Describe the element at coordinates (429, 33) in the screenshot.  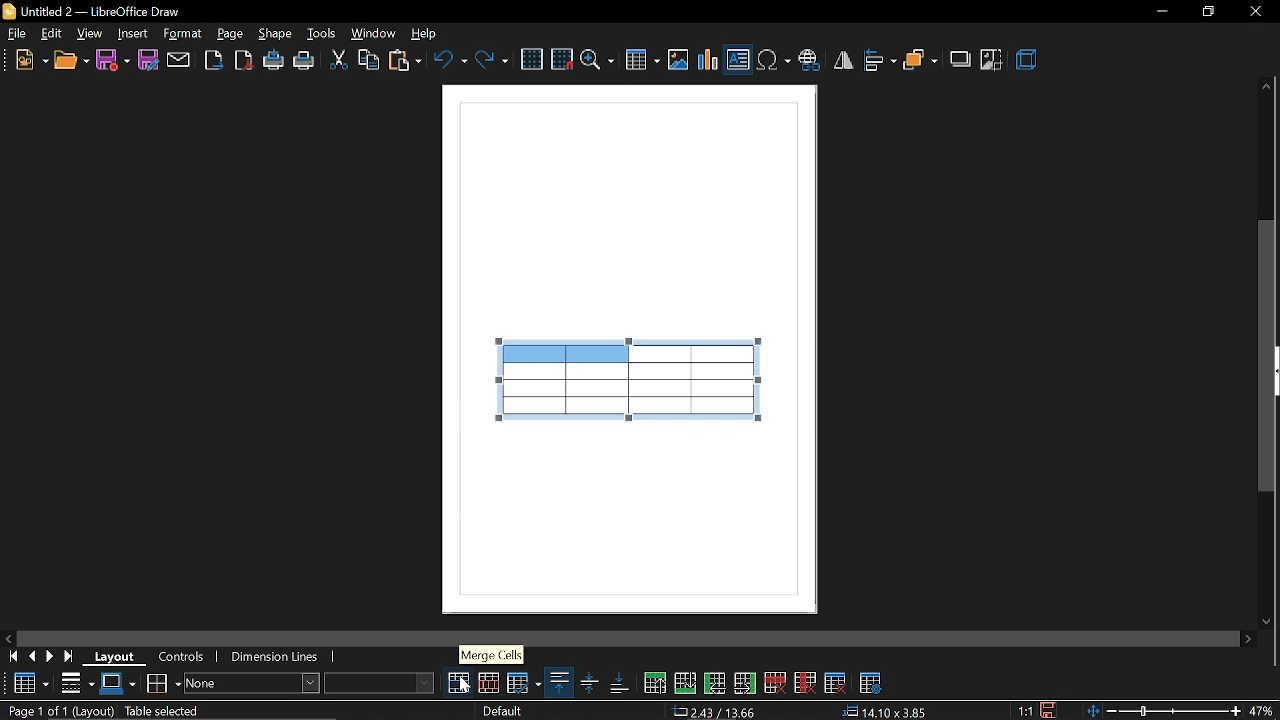
I see `help` at that location.